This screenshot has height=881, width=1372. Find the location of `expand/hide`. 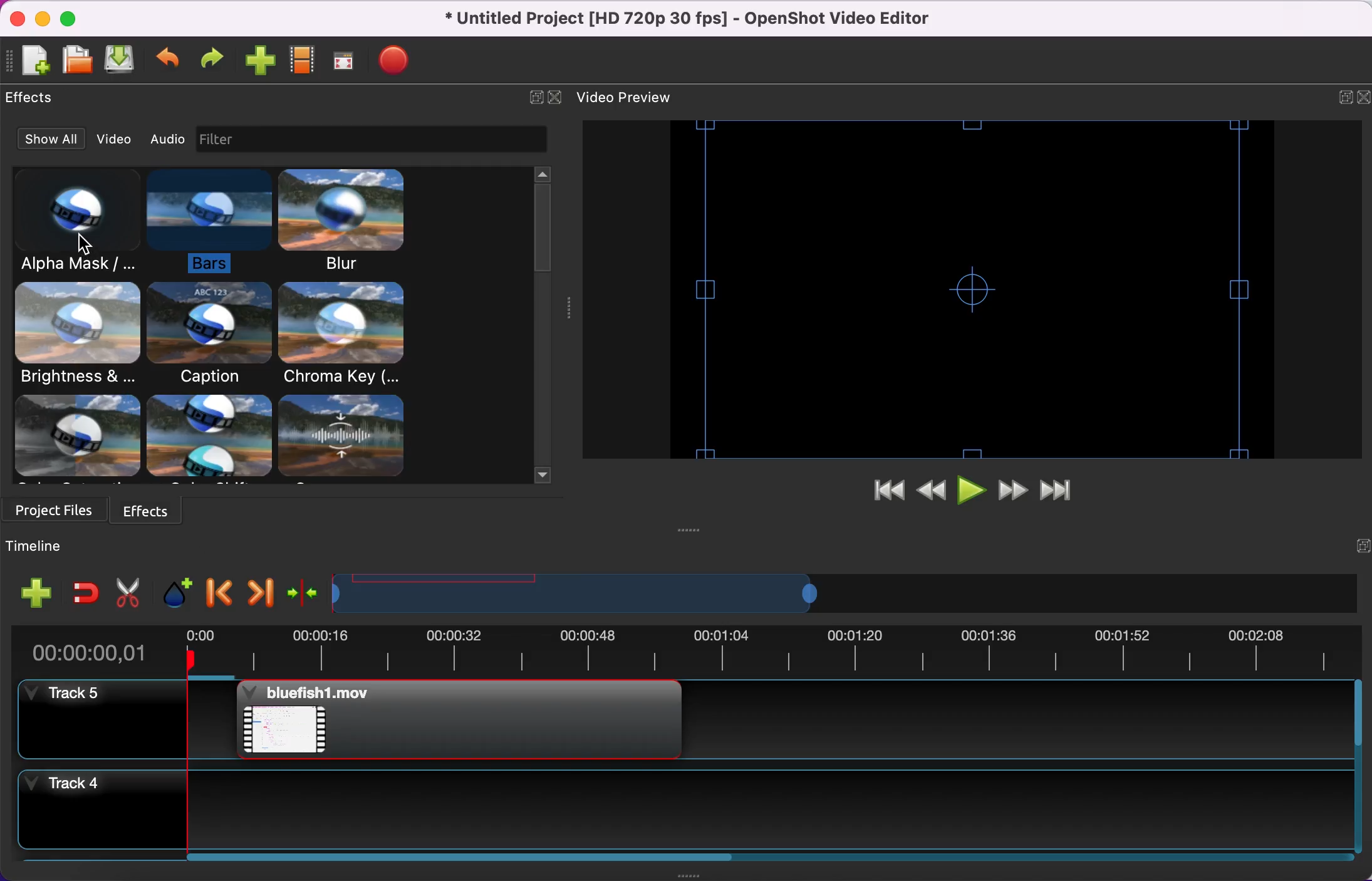

expand/hide is located at coordinates (1344, 100).